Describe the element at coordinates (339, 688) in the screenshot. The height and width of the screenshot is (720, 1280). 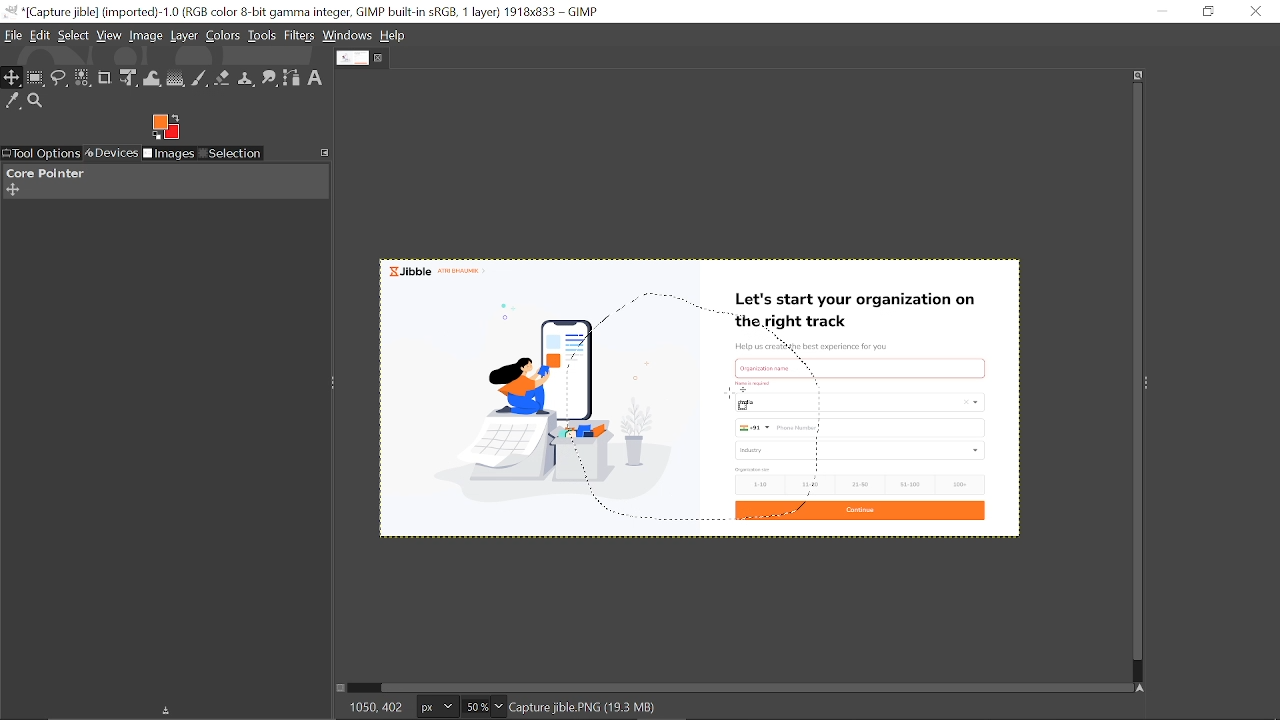
I see `Toggle quick mask on/off` at that location.